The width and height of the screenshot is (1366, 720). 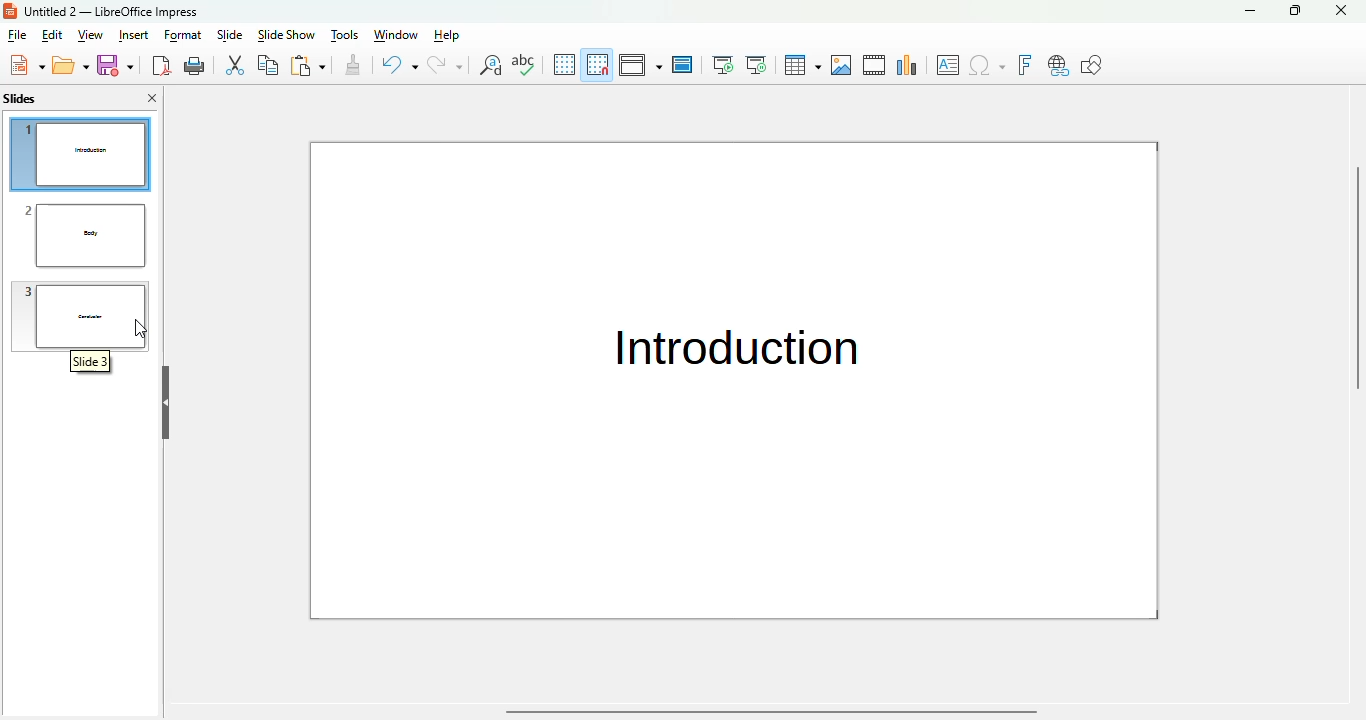 I want to click on print, so click(x=195, y=66).